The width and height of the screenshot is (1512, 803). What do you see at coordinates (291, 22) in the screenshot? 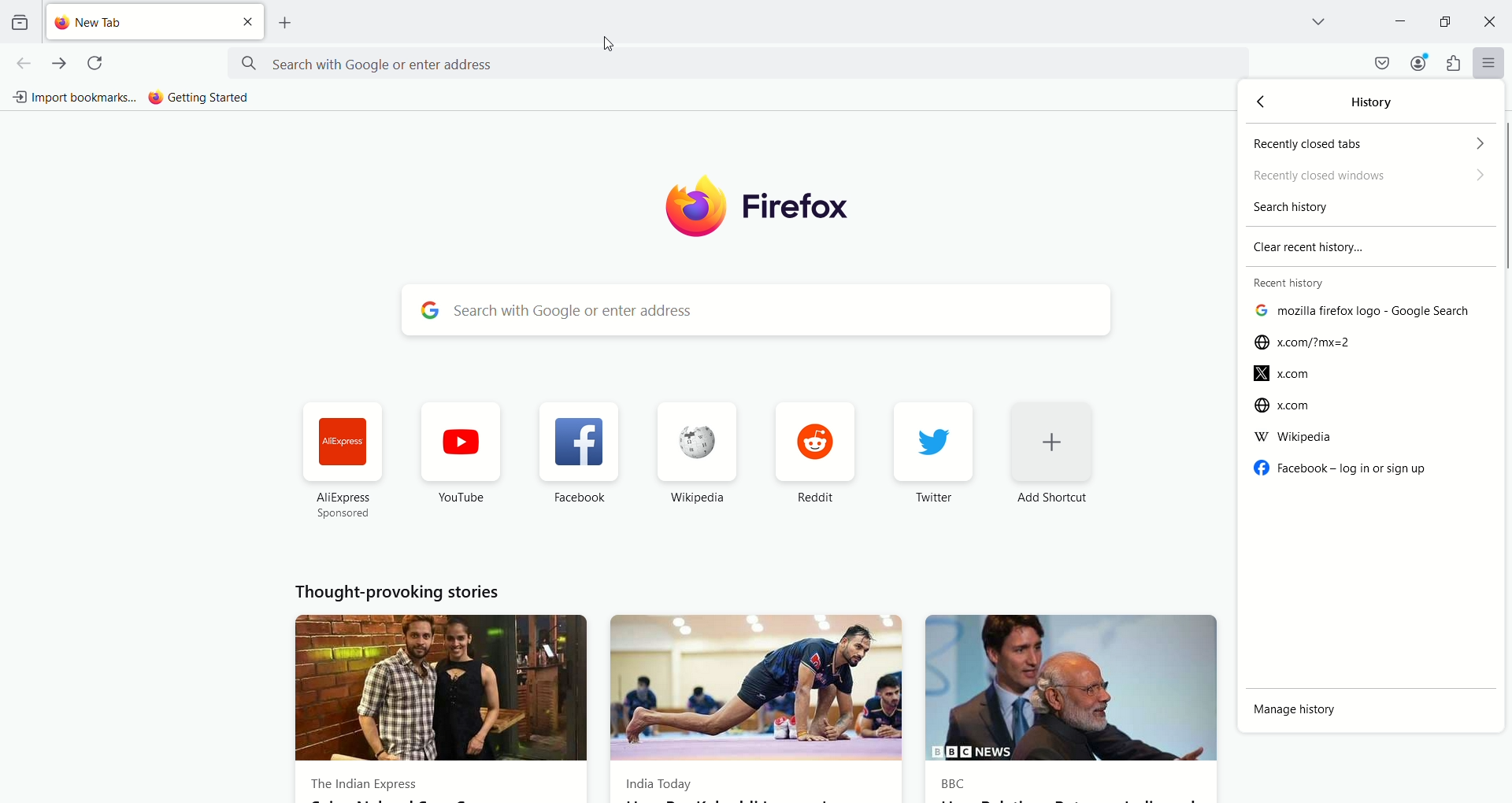
I see `open a new tab` at bounding box center [291, 22].